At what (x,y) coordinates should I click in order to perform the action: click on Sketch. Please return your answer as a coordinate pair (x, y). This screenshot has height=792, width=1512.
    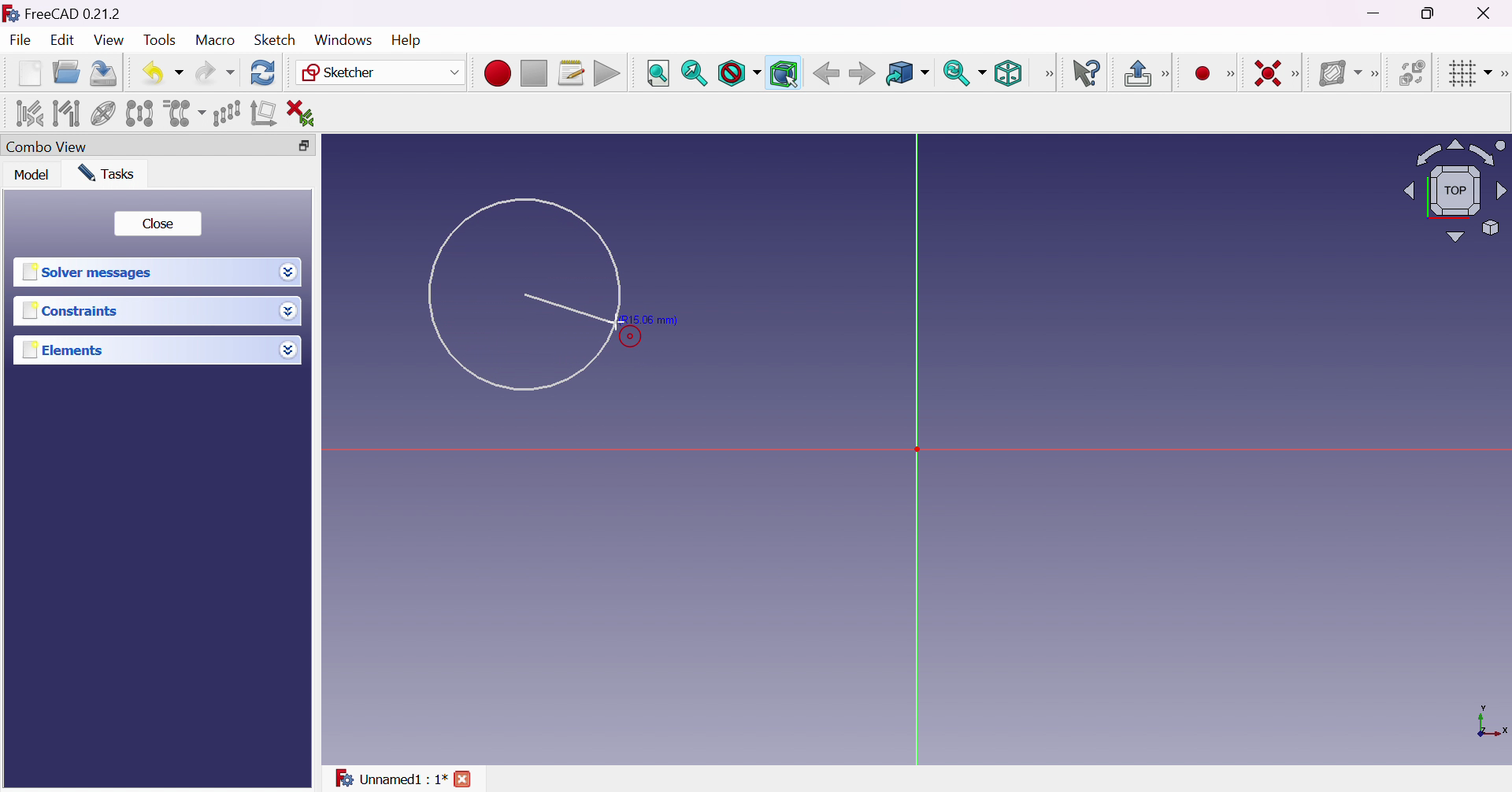
    Looking at the image, I should click on (274, 39).